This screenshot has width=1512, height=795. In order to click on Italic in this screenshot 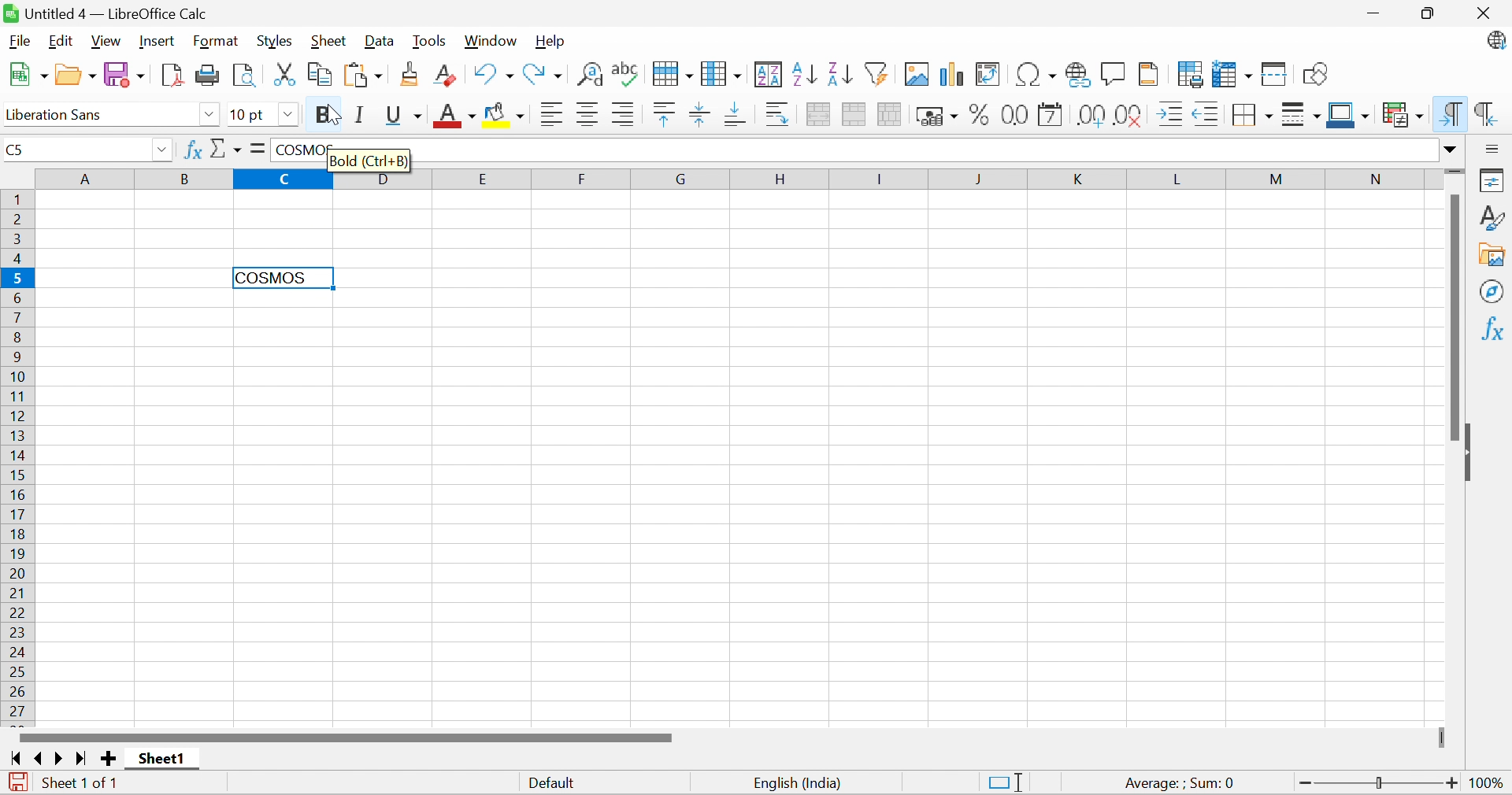, I will do `click(361, 115)`.